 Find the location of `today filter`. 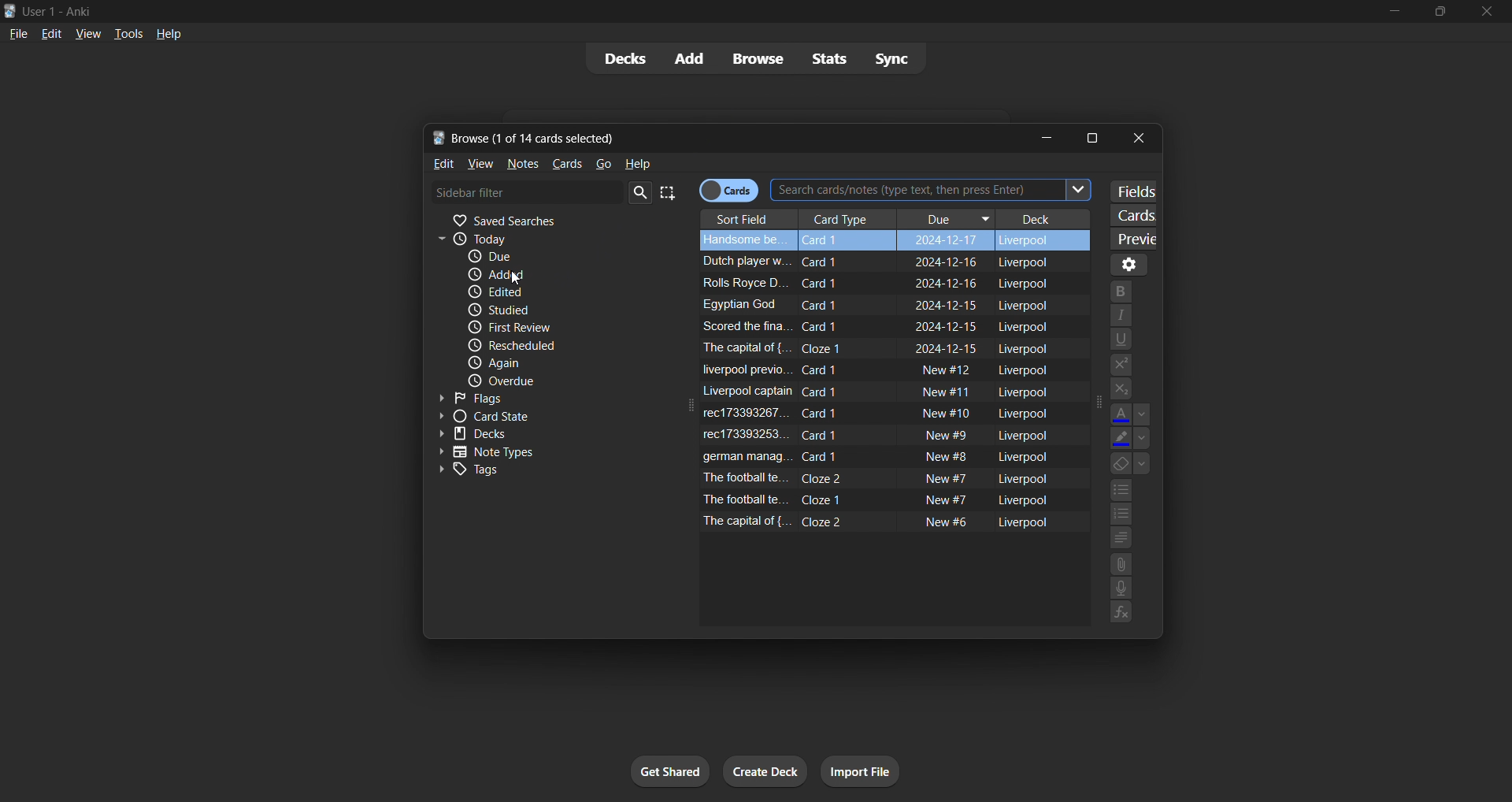

today filter is located at coordinates (540, 239).